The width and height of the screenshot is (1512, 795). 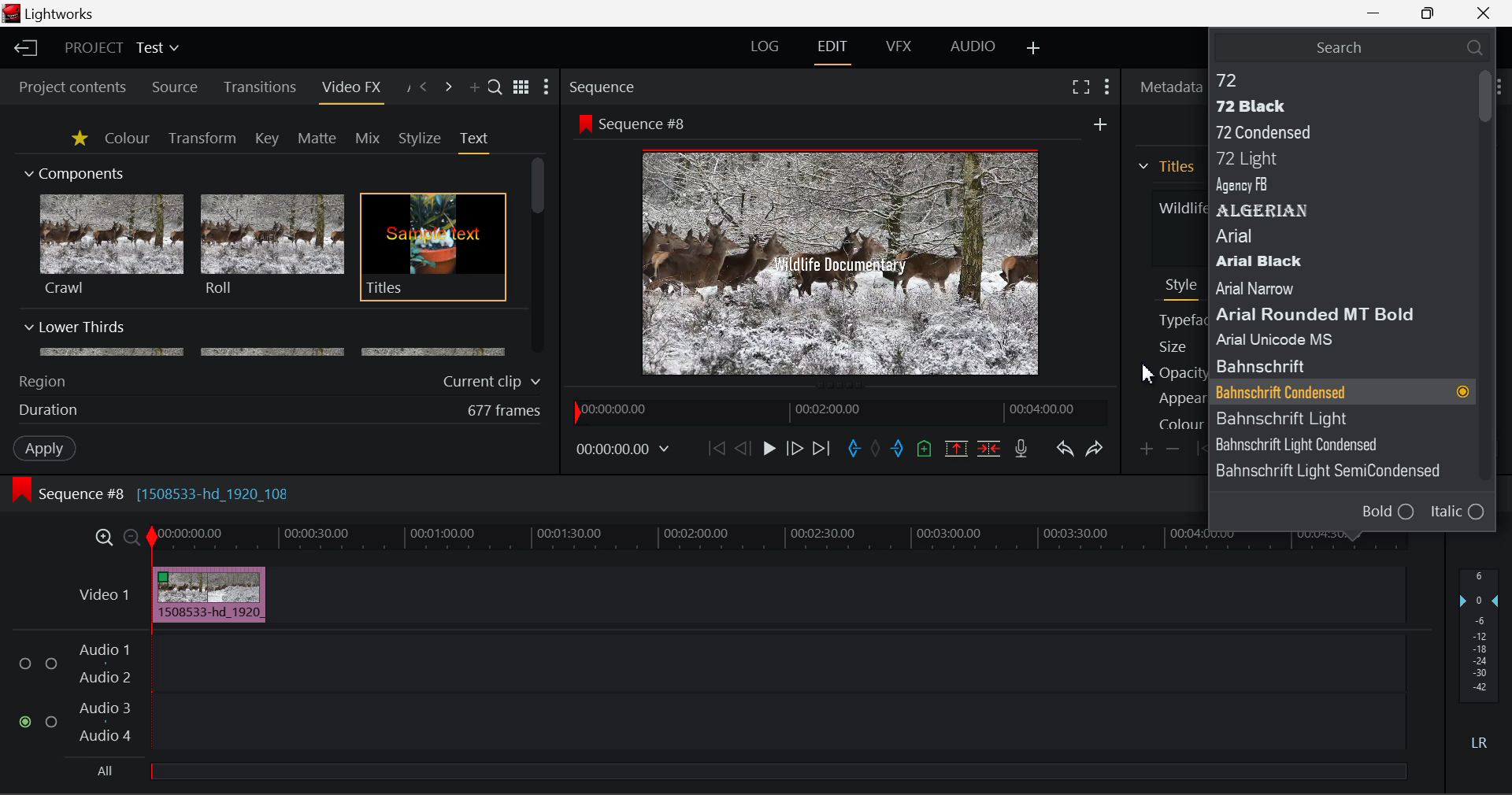 I want to click on Arial Black, so click(x=1315, y=262).